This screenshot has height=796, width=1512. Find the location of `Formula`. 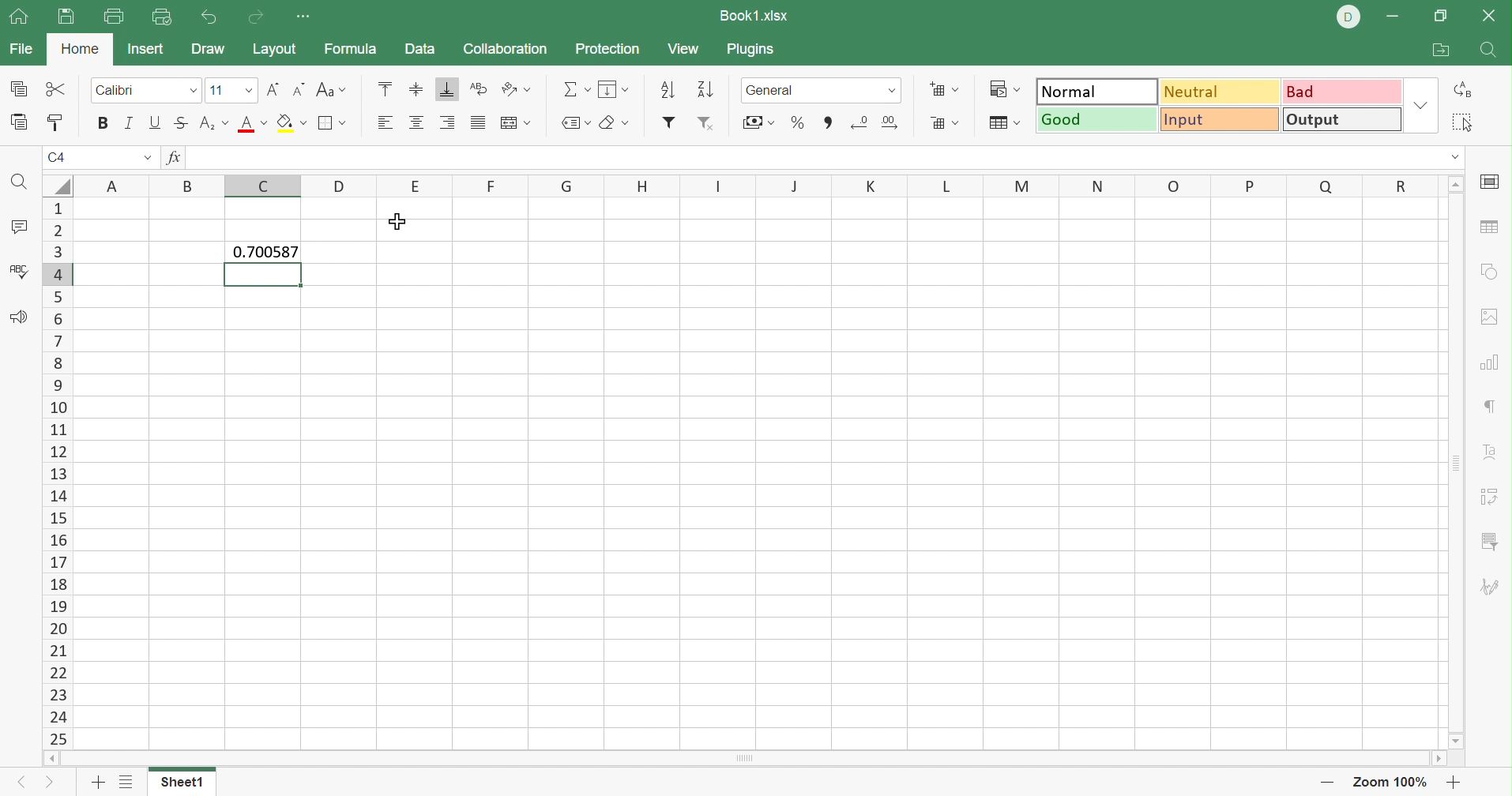

Formula is located at coordinates (350, 50).